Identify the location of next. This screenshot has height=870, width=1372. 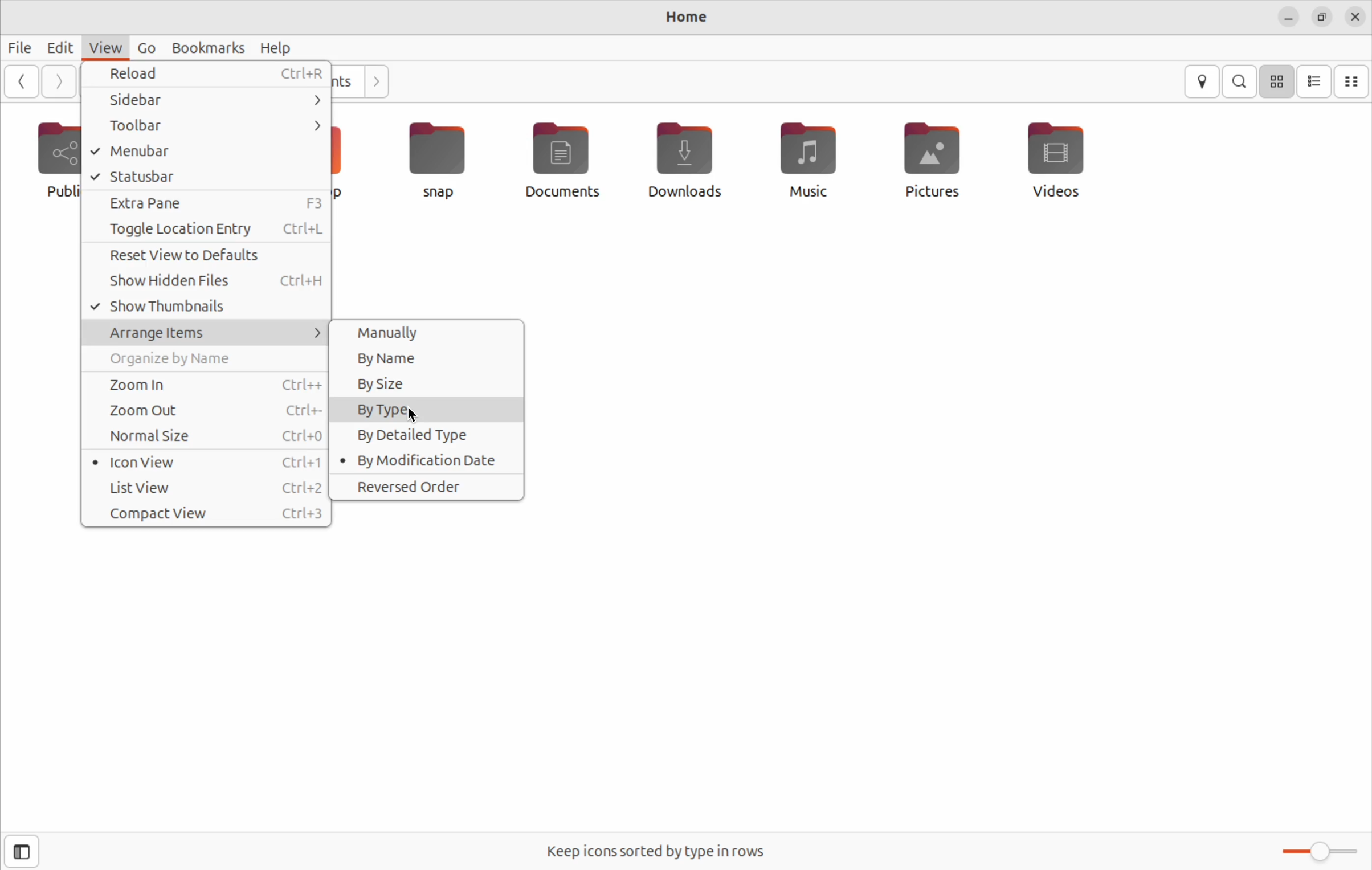
(378, 82).